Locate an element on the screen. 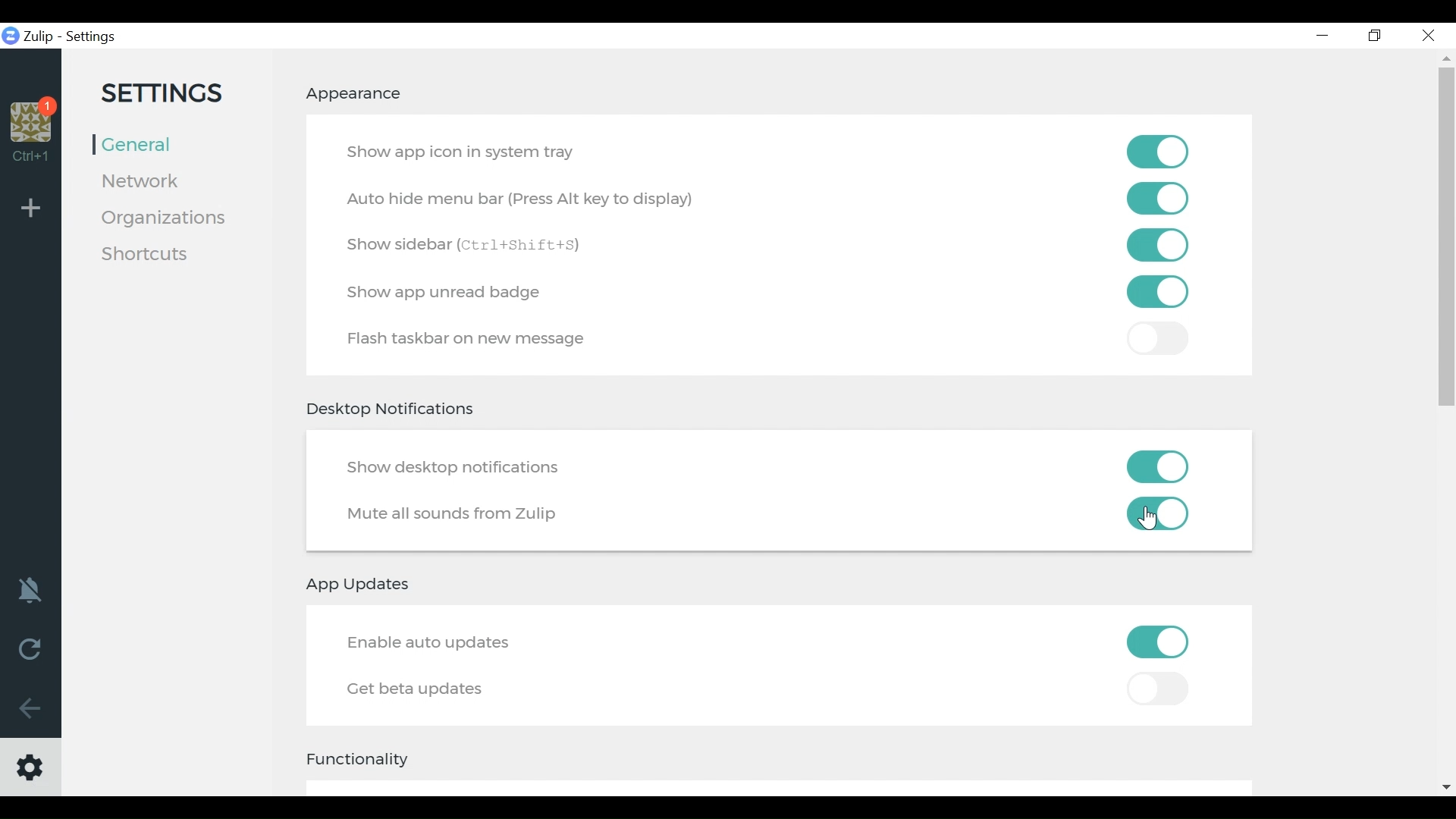 The width and height of the screenshot is (1456, 819). Organisation is located at coordinates (165, 218).